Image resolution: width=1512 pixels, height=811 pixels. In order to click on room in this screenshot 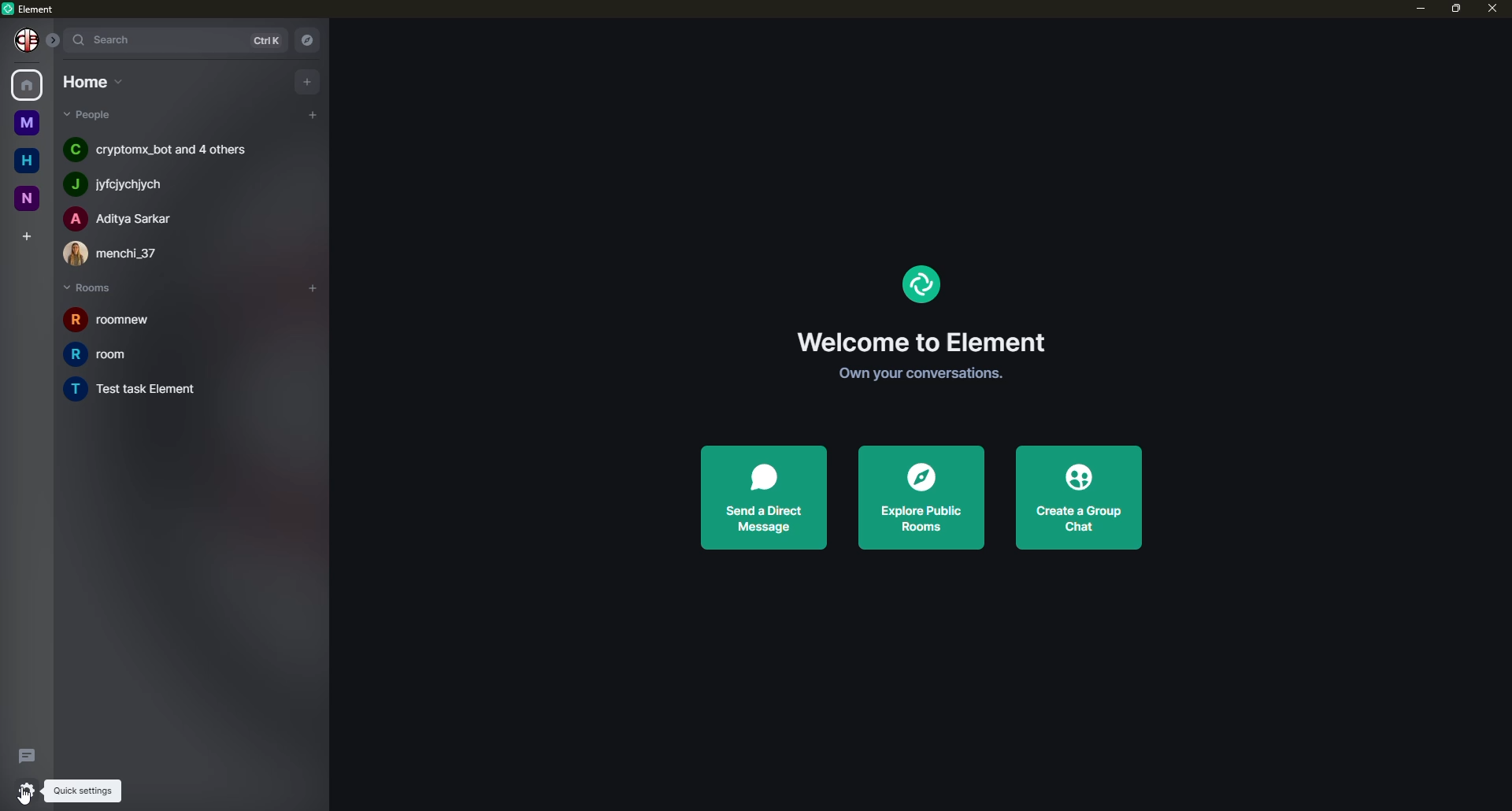, I will do `click(100, 354)`.